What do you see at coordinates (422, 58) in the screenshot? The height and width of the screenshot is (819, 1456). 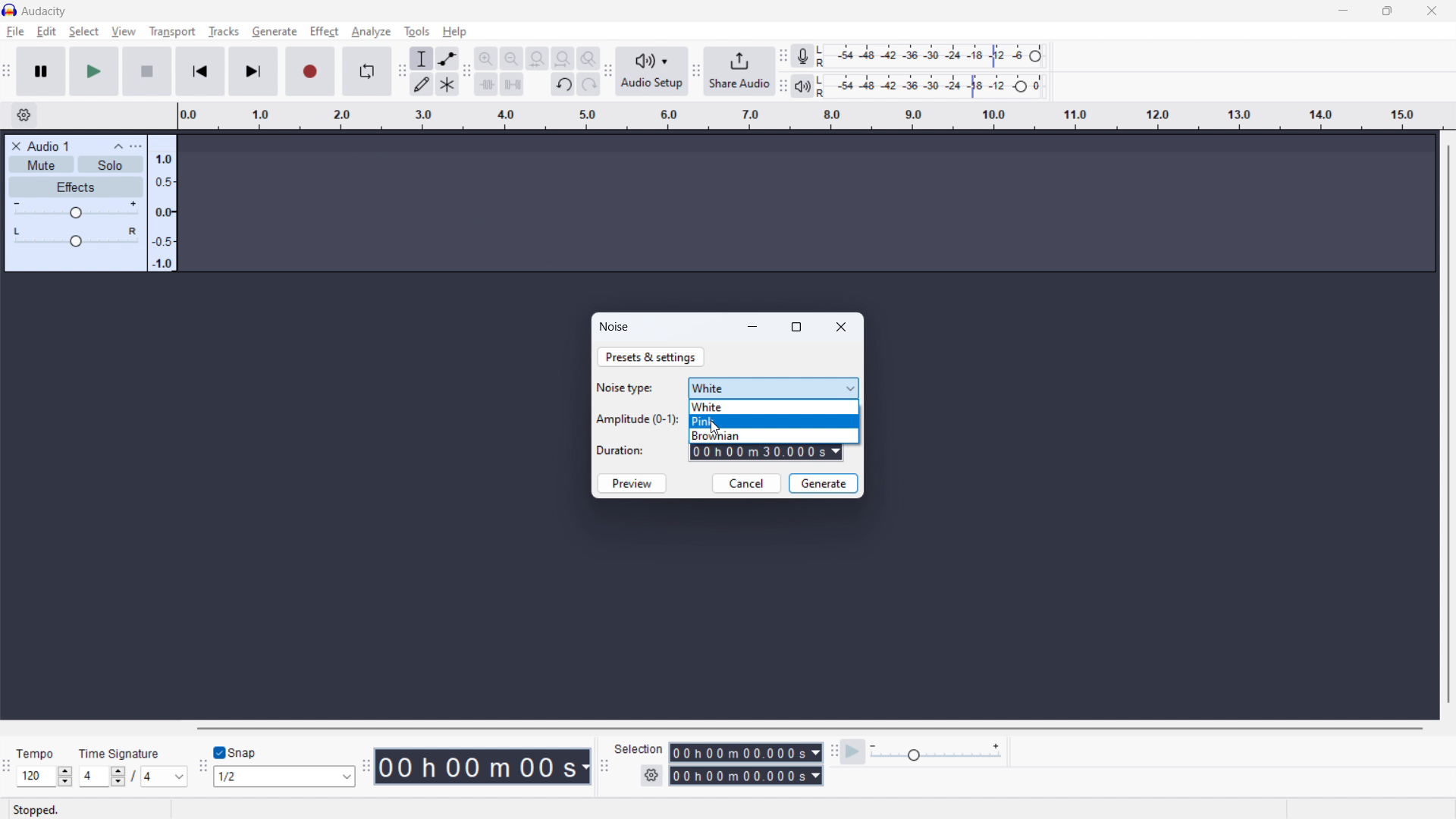 I see `selection tool` at bounding box center [422, 58].